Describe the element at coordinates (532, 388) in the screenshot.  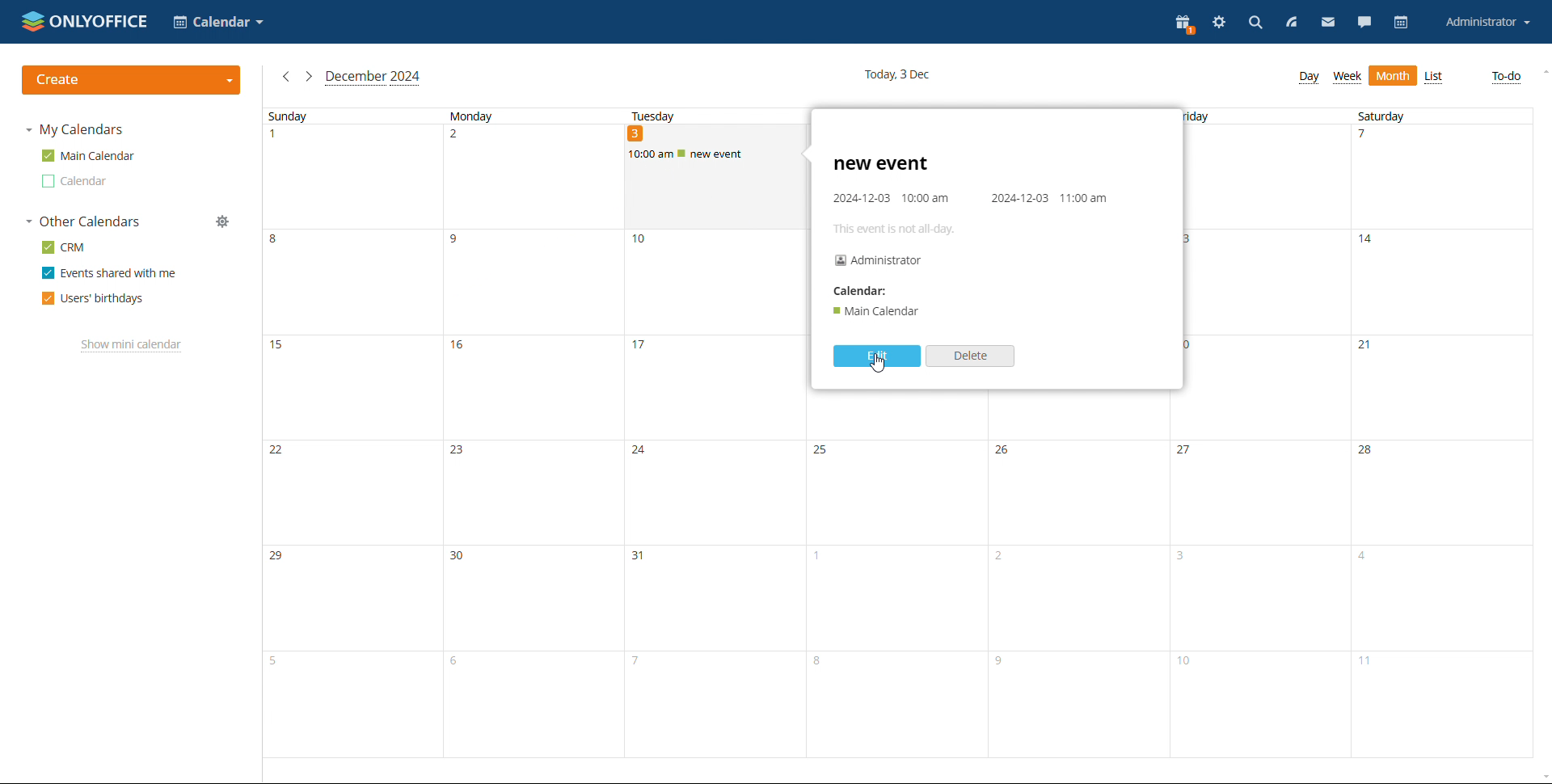
I see `16` at that location.